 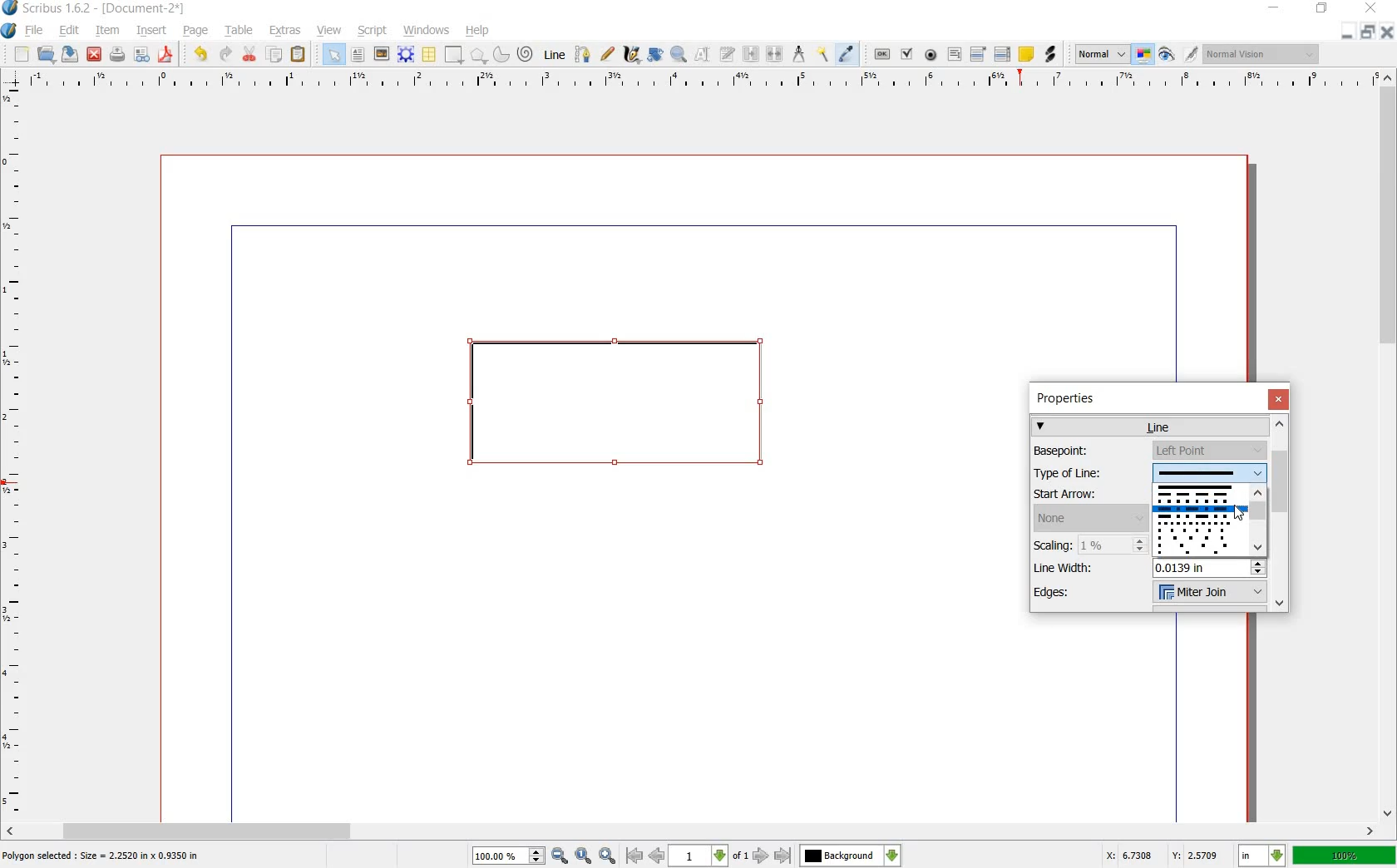 What do you see at coordinates (1210, 568) in the screenshot?
I see `0.0139 in` at bounding box center [1210, 568].